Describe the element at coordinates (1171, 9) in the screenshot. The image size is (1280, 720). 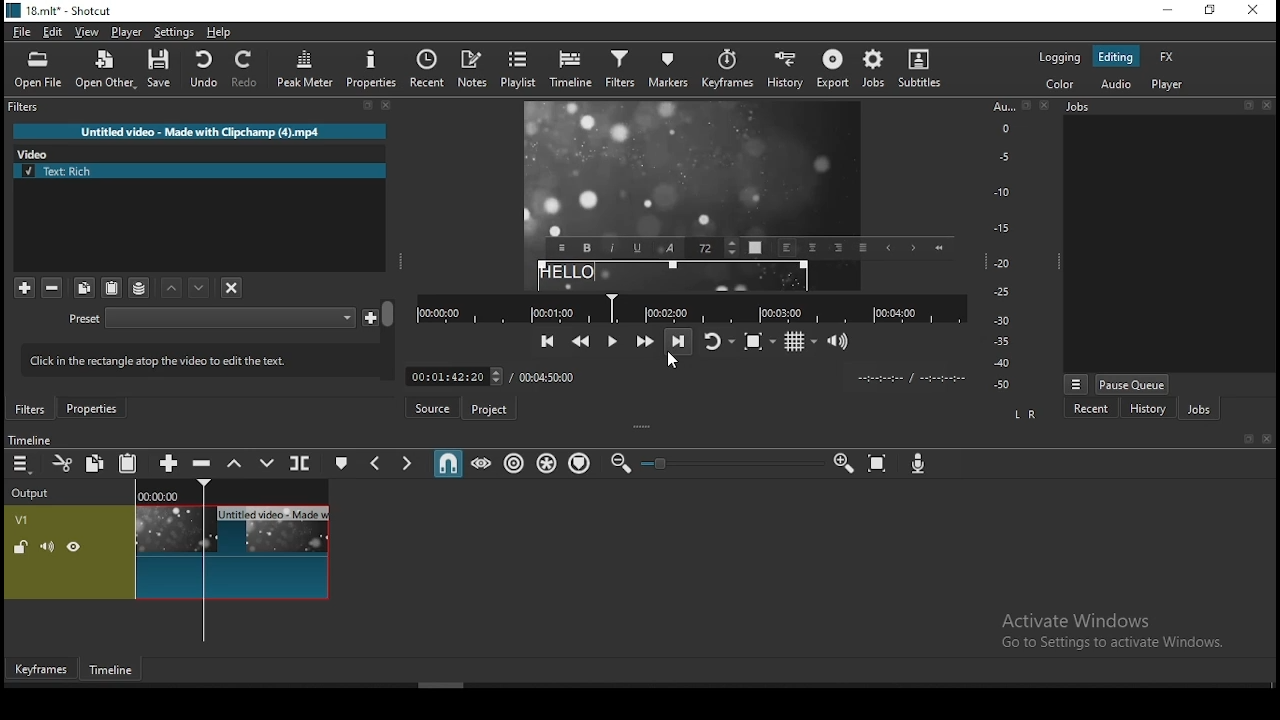
I see `minimize` at that location.